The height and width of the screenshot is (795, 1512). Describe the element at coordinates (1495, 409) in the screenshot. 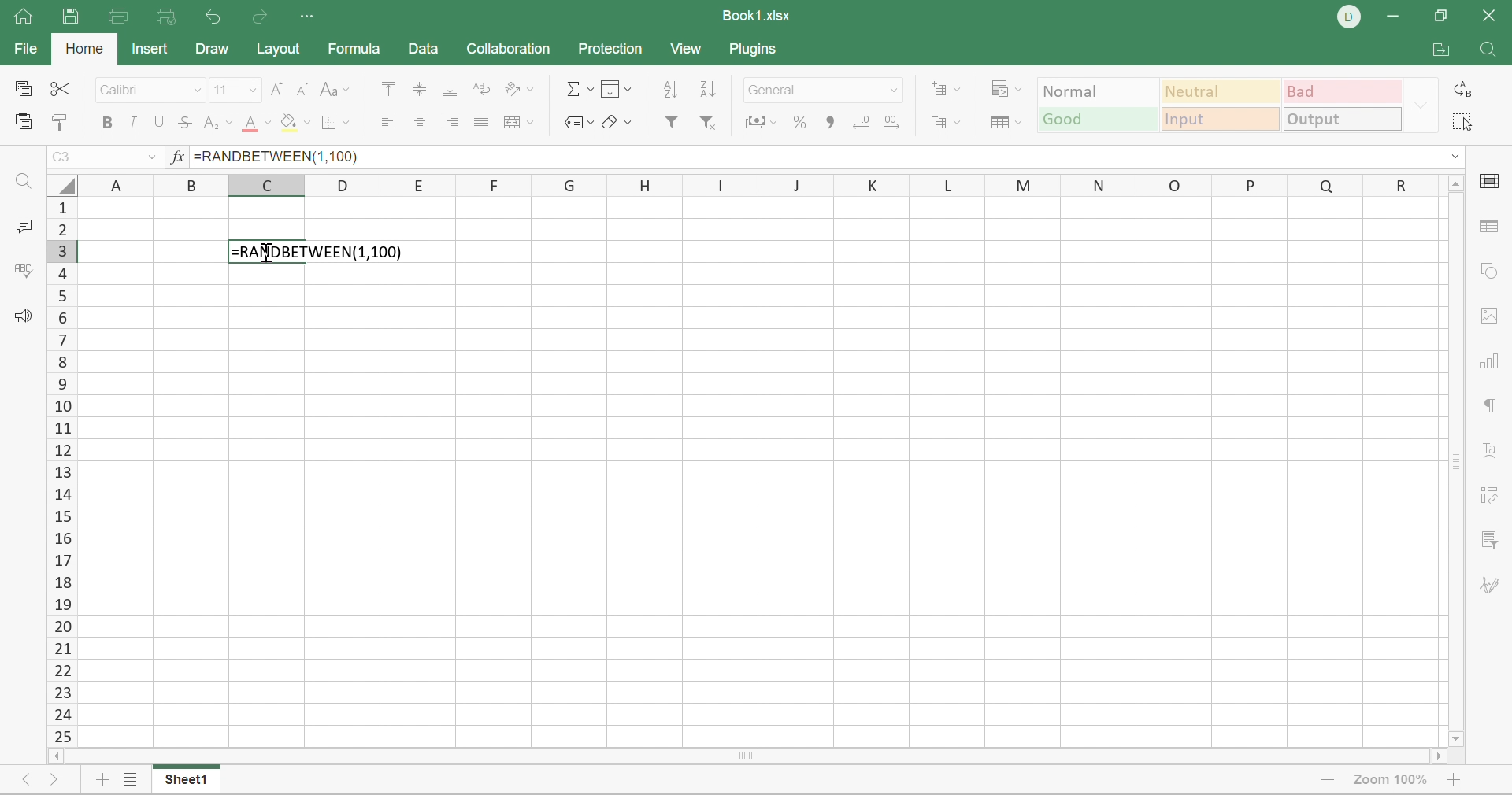

I see `paragraph settings` at that location.